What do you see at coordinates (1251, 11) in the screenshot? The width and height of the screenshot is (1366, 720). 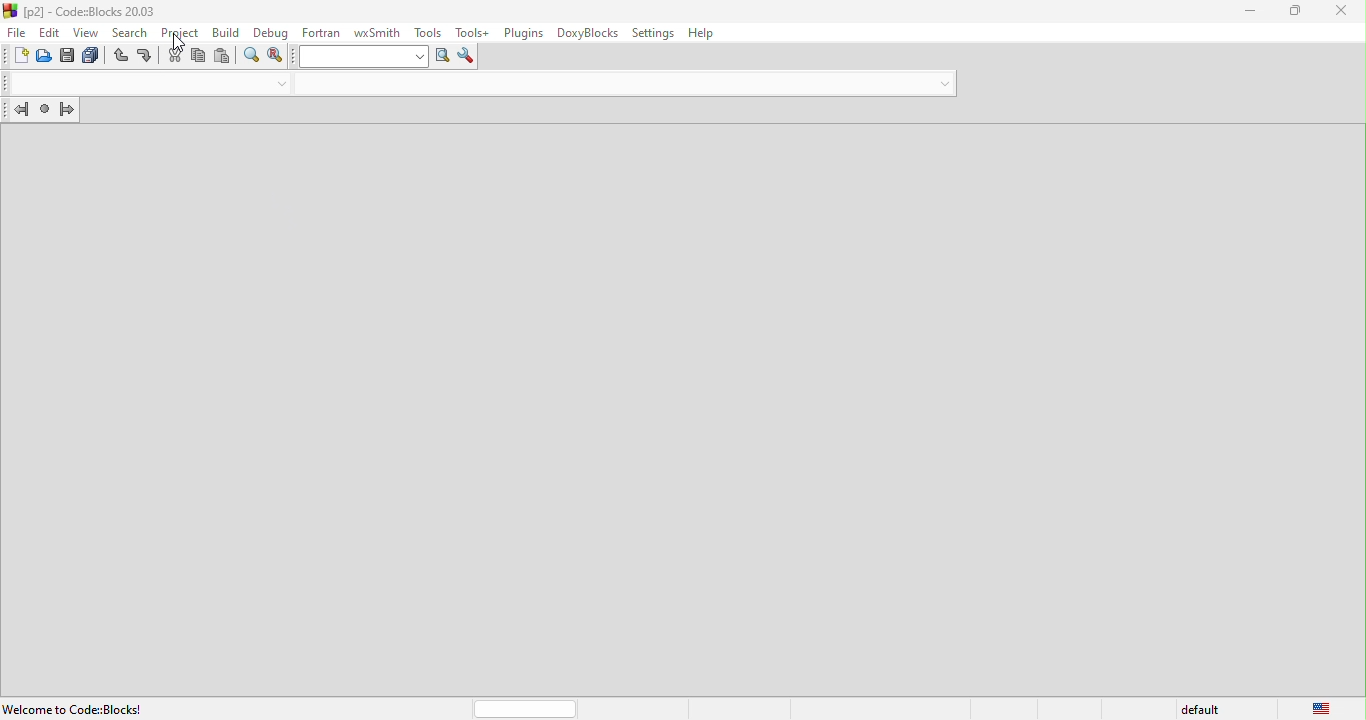 I see `minimize` at bounding box center [1251, 11].